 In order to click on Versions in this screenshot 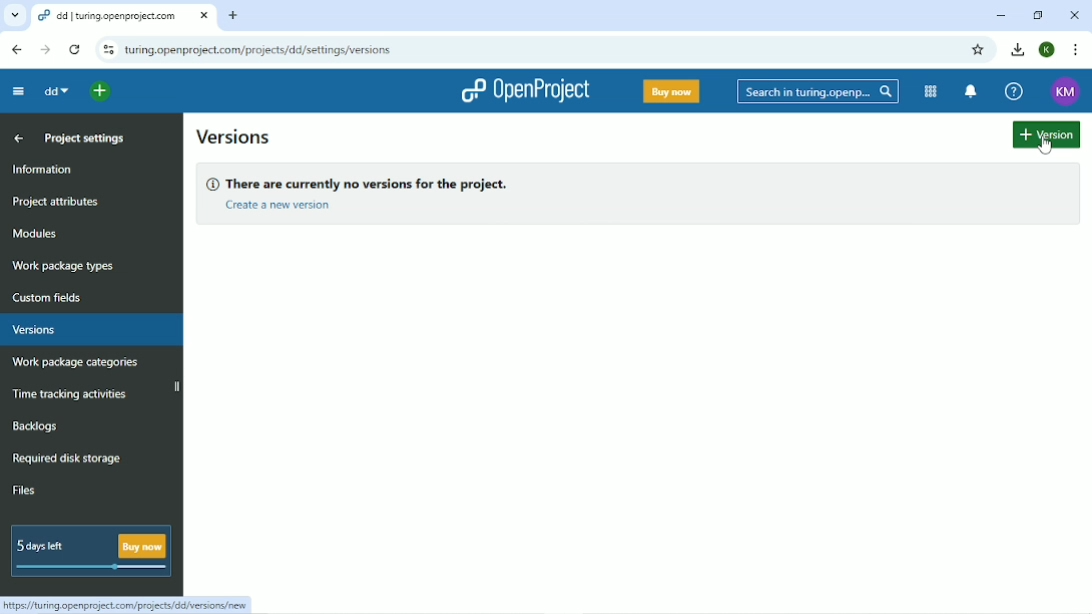, I will do `click(33, 330)`.